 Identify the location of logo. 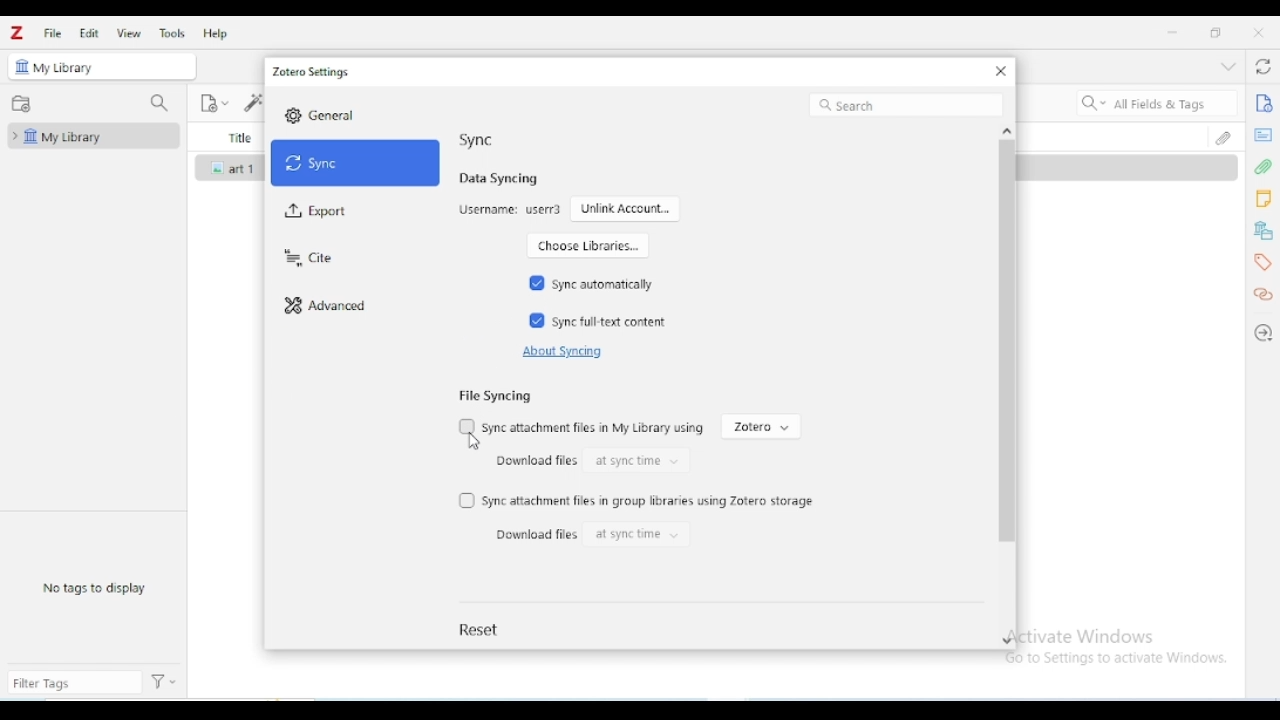
(16, 32).